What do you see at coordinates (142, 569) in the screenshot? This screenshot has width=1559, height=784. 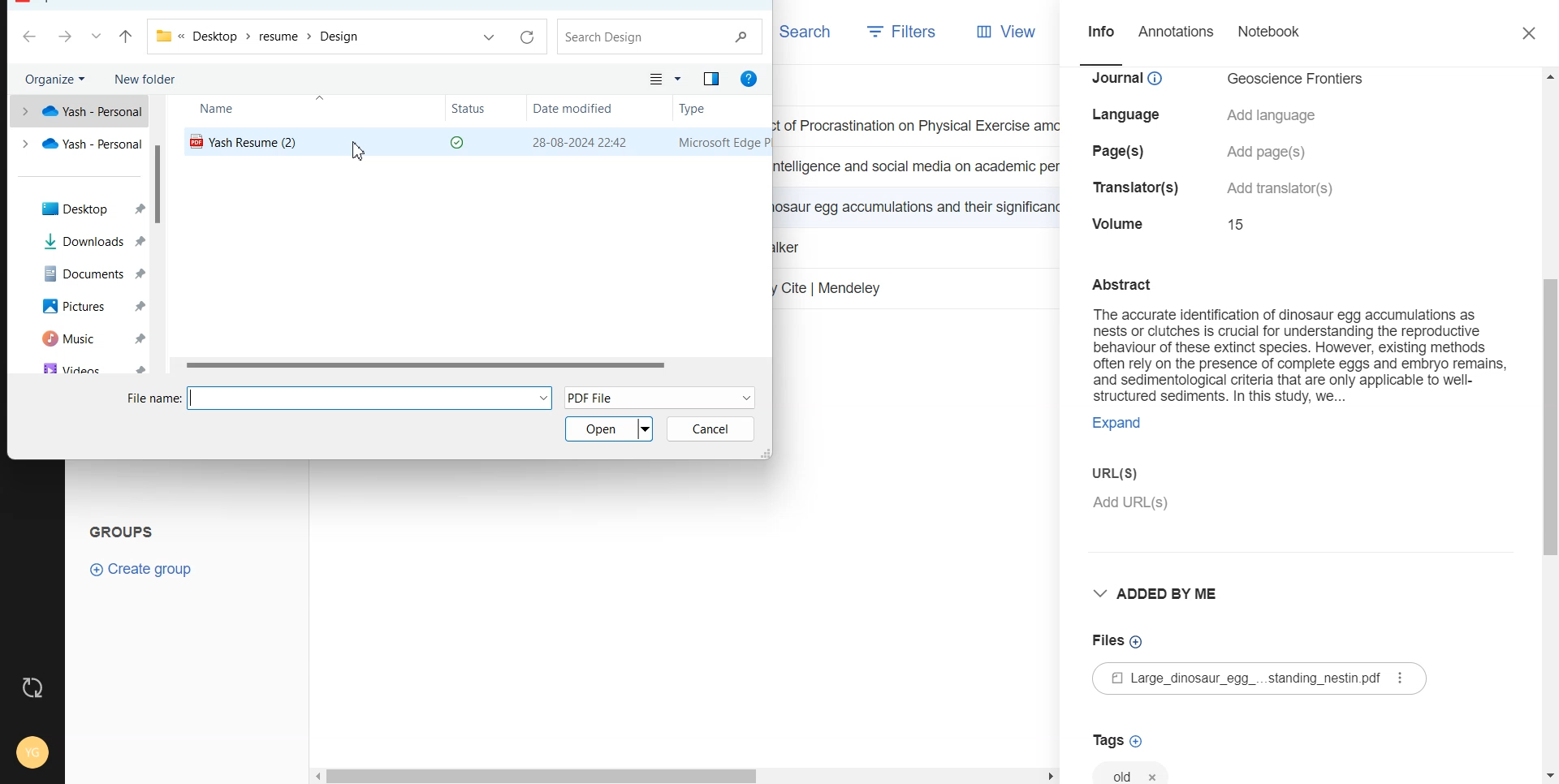 I see `Create Group` at bounding box center [142, 569].